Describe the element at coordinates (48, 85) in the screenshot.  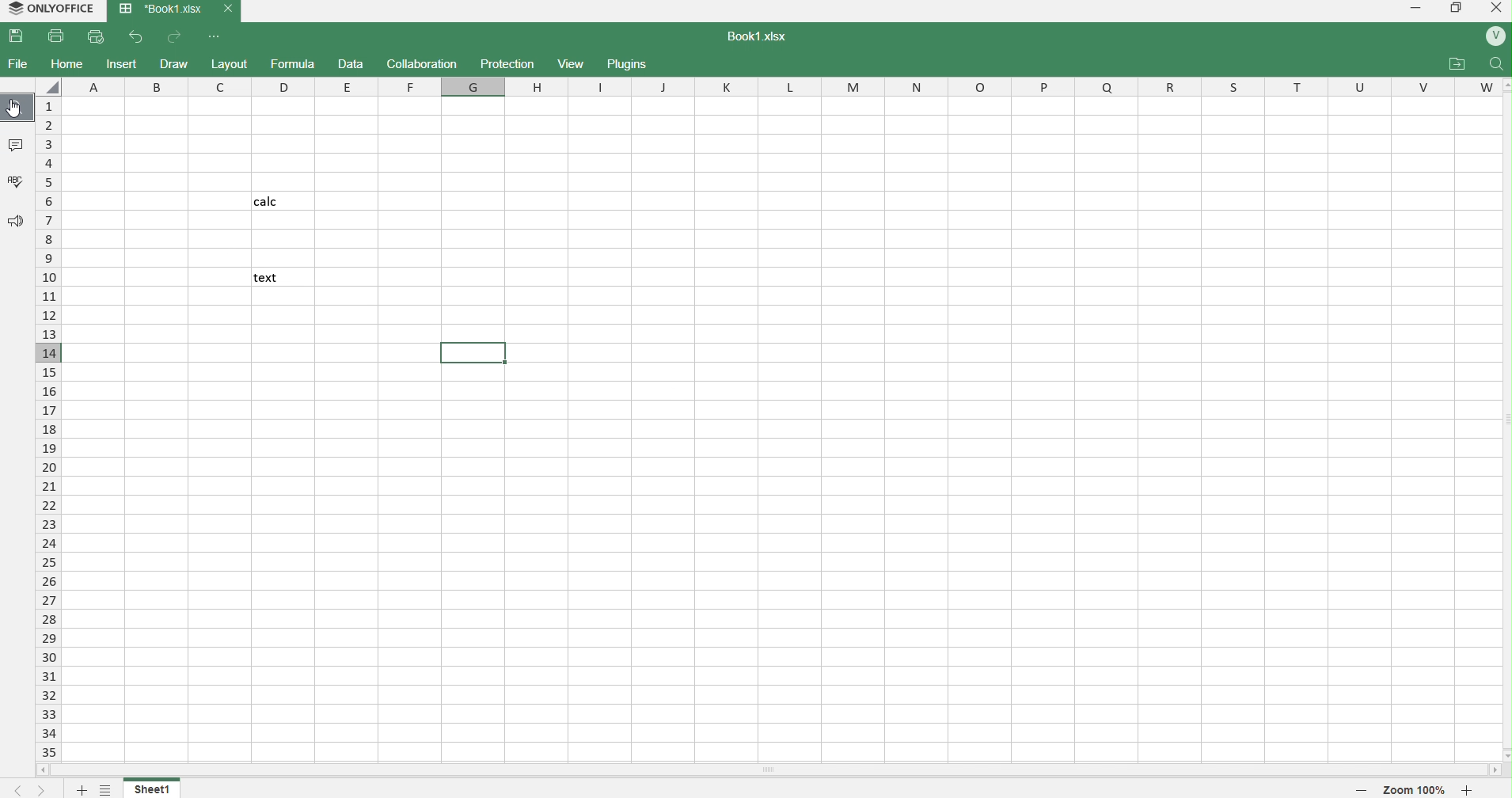
I see `select whole sheet` at that location.